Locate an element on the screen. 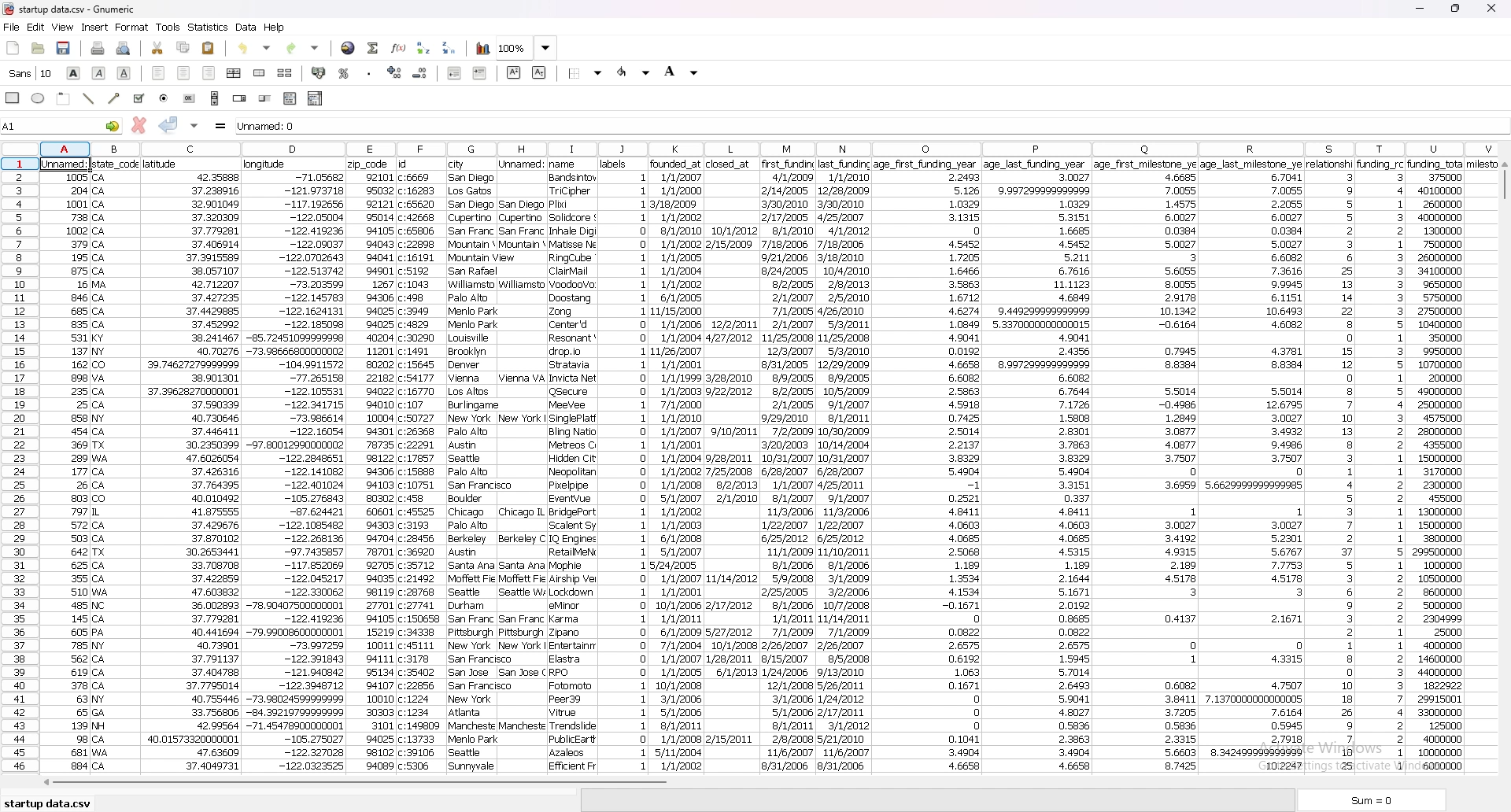 Image resolution: width=1511 pixels, height=812 pixels. combo box is located at coordinates (316, 98).